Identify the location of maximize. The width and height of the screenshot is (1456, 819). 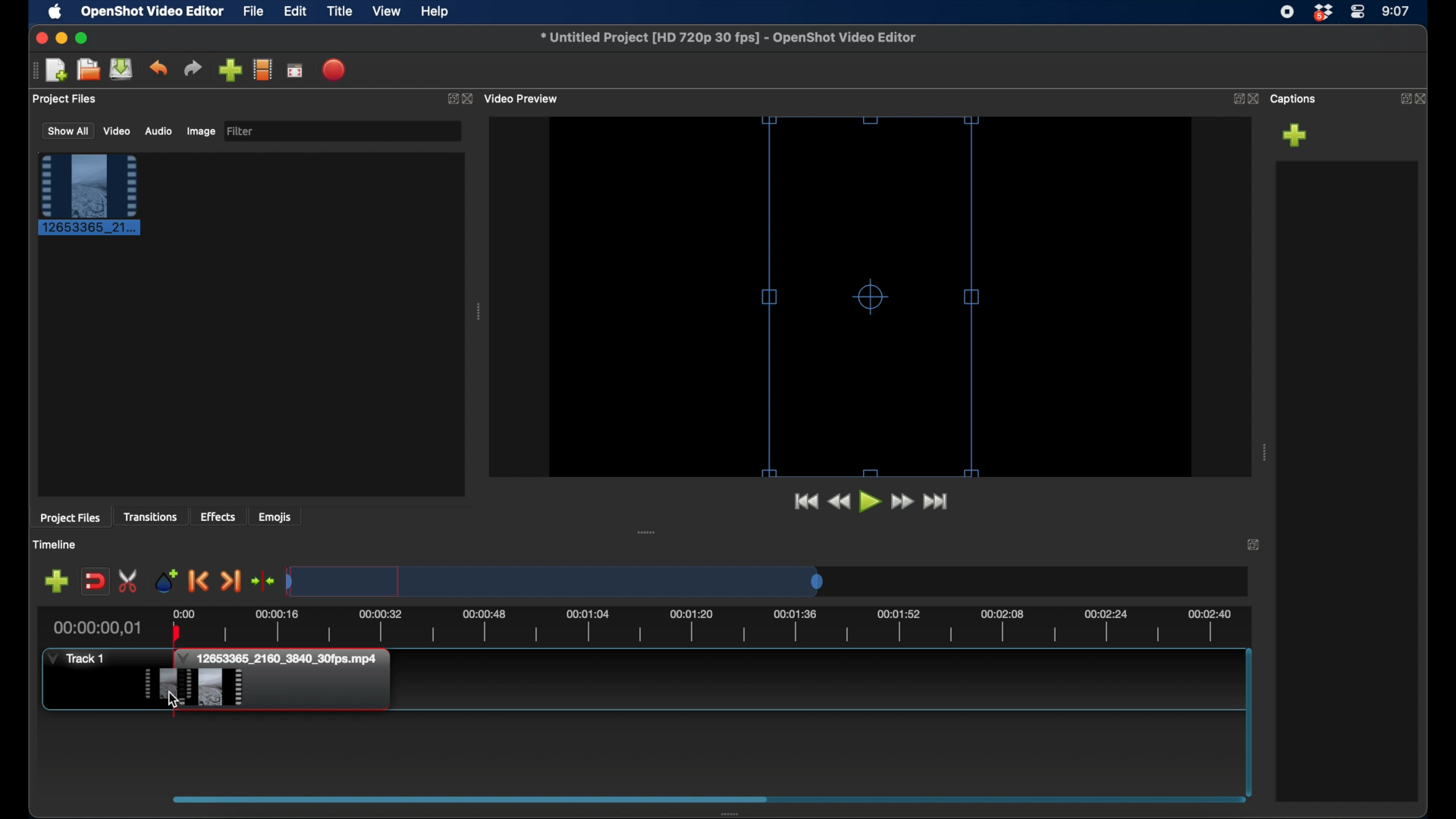
(83, 38).